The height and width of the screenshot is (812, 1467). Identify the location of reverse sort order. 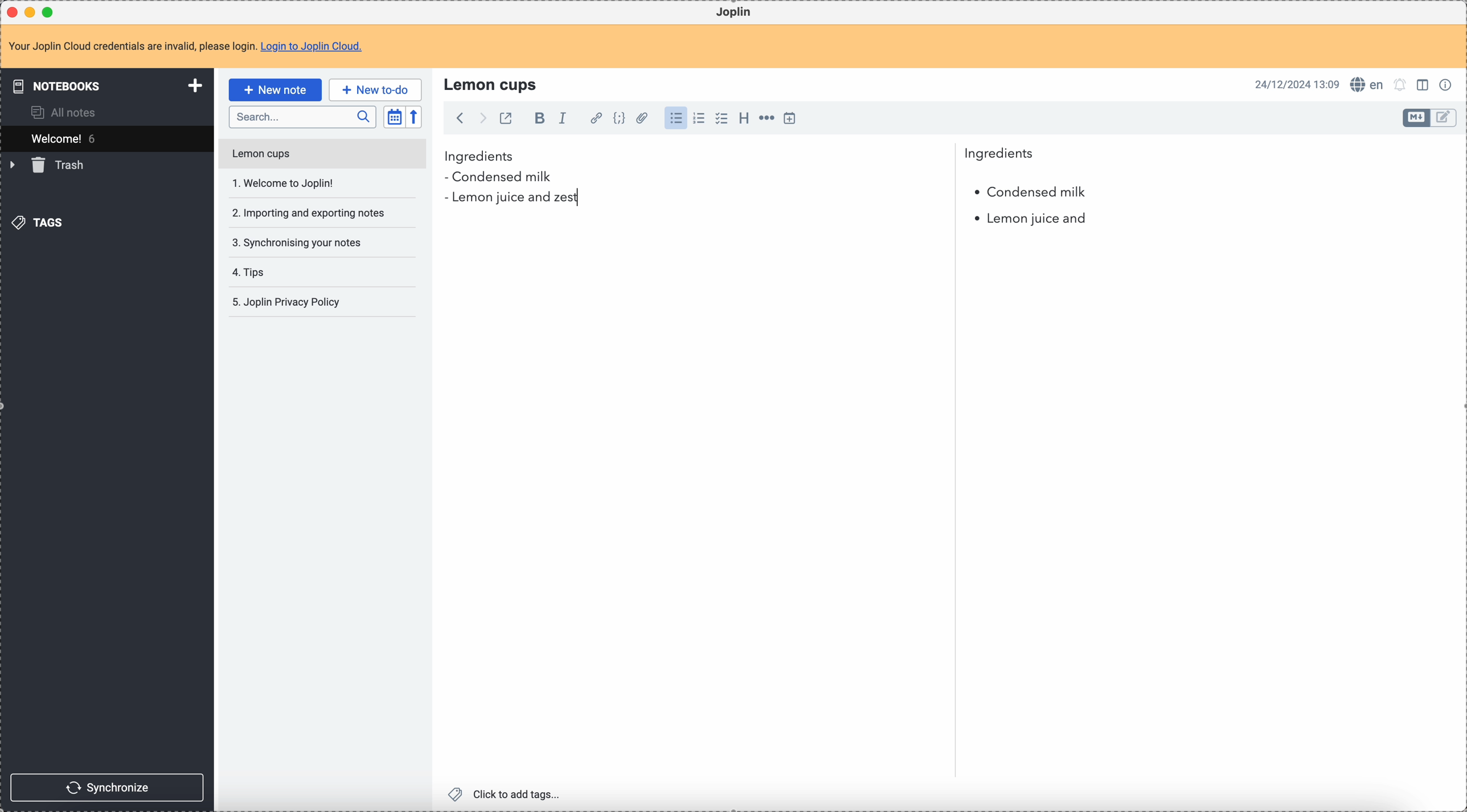
(416, 117).